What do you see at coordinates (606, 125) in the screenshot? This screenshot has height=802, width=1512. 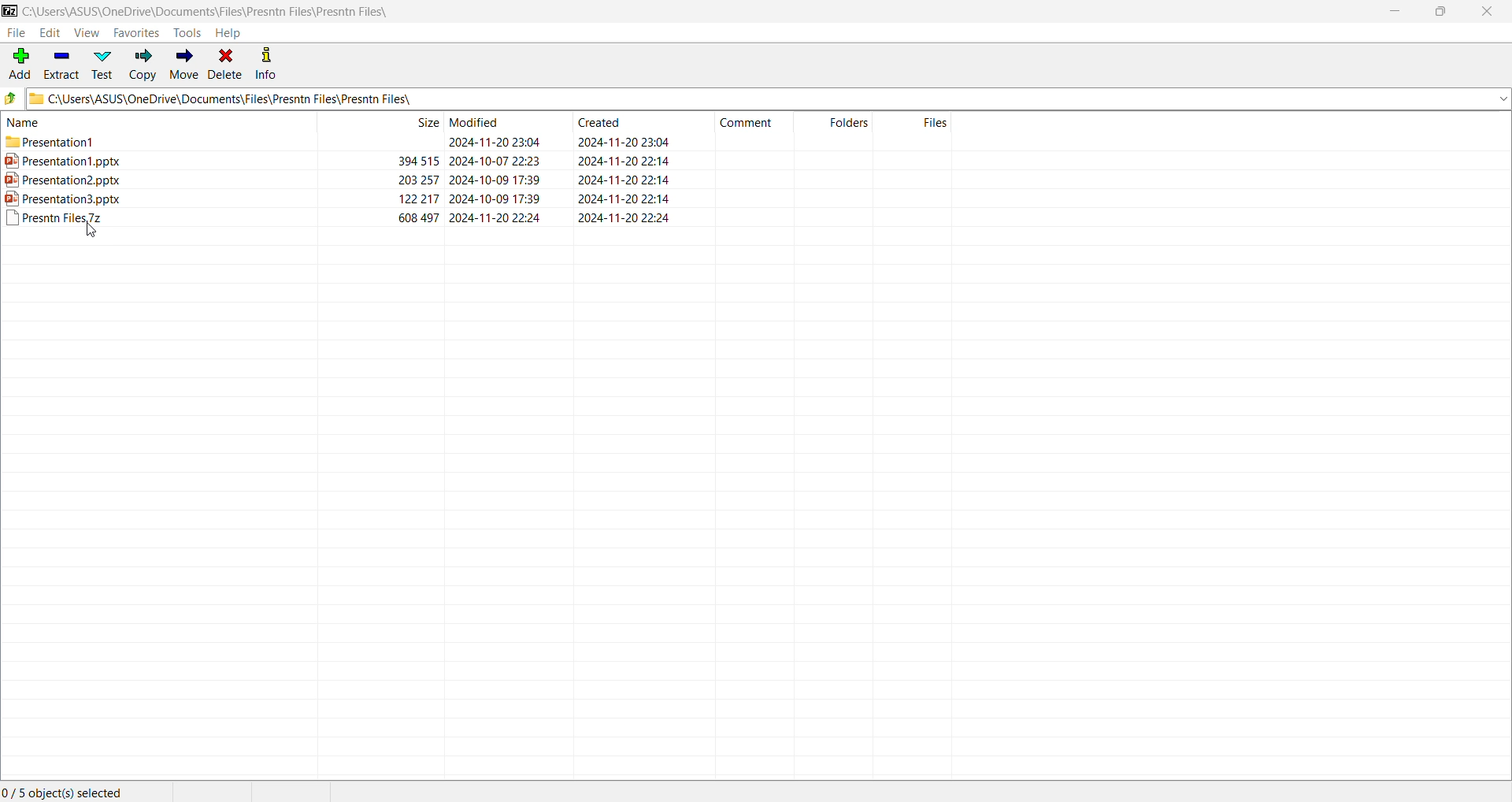 I see `Created` at bounding box center [606, 125].